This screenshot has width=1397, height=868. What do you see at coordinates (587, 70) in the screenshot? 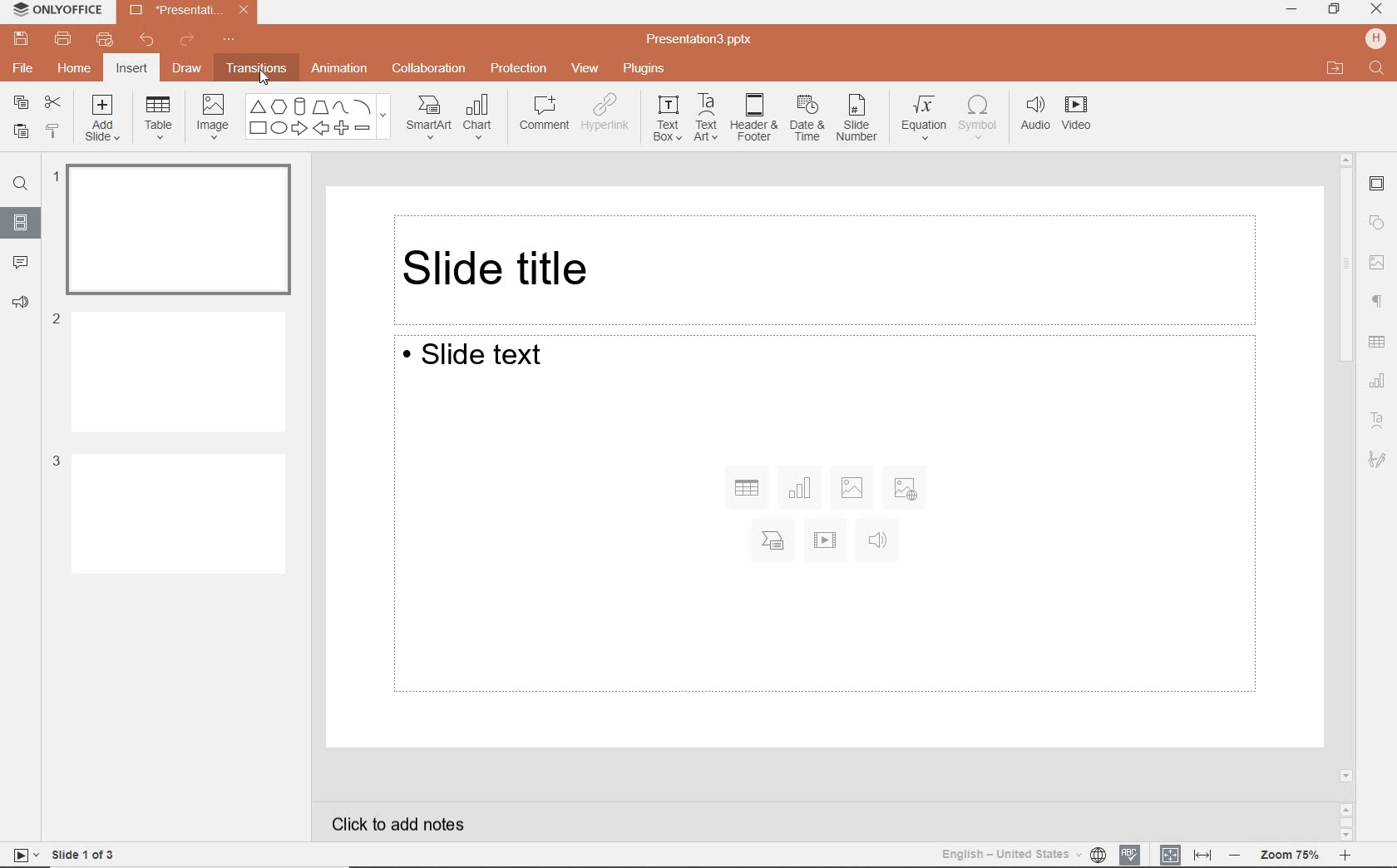
I see `view` at bounding box center [587, 70].